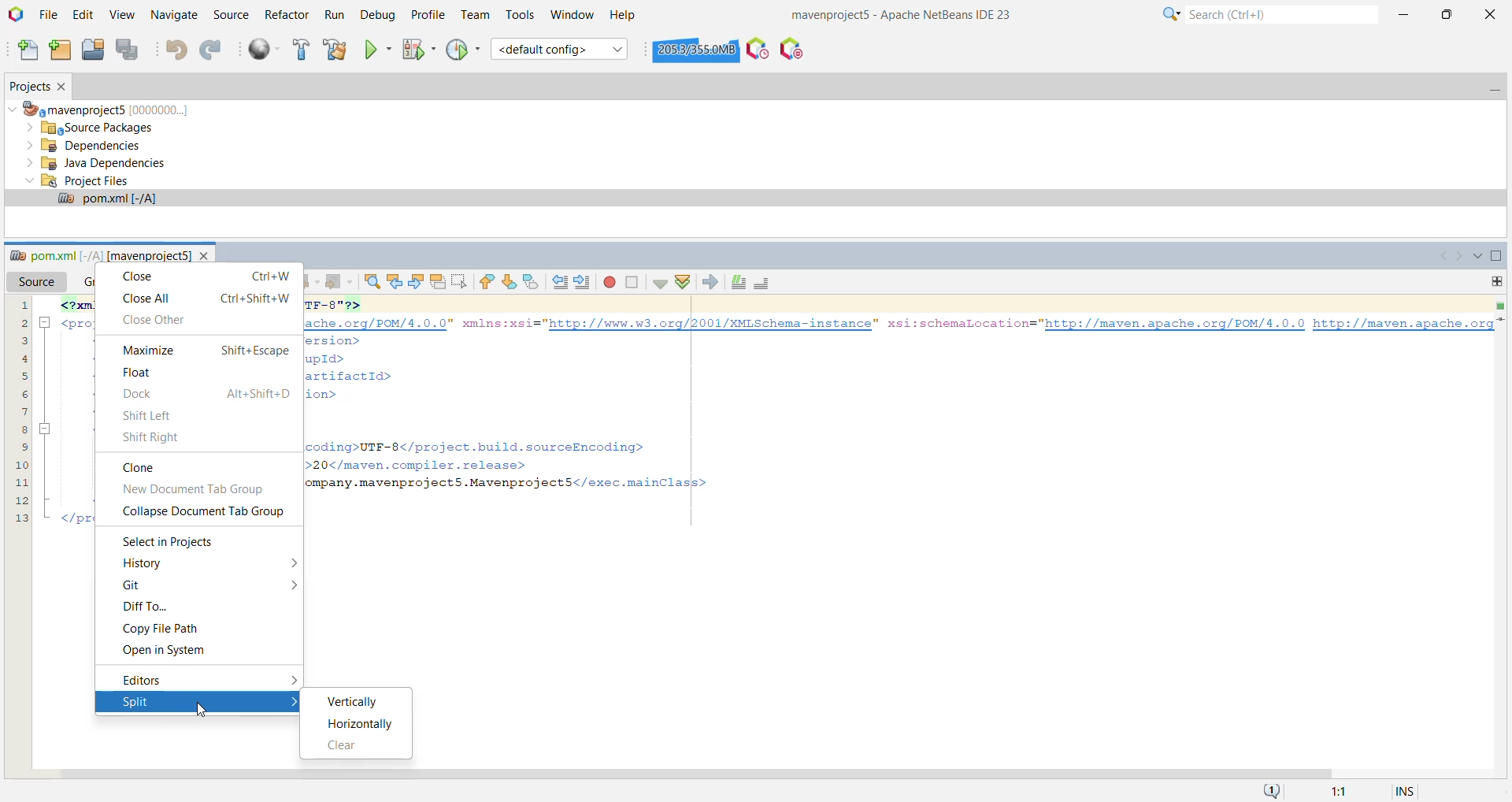 The height and width of the screenshot is (802, 1512). Describe the element at coordinates (23, 410) in the screenshot. I see `7` at that location.